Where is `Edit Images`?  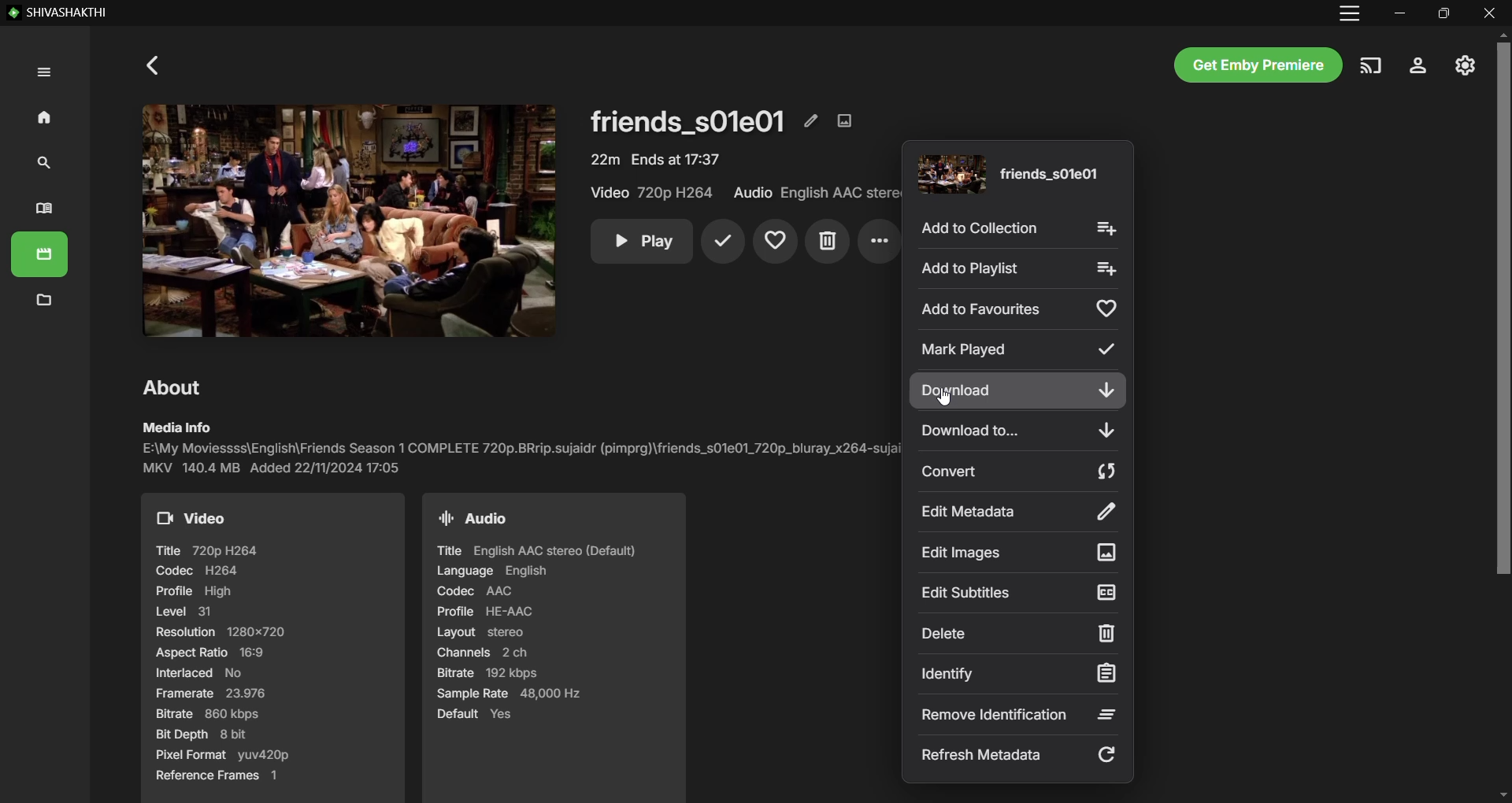 Edit Images is located at coordinates (847, 120).